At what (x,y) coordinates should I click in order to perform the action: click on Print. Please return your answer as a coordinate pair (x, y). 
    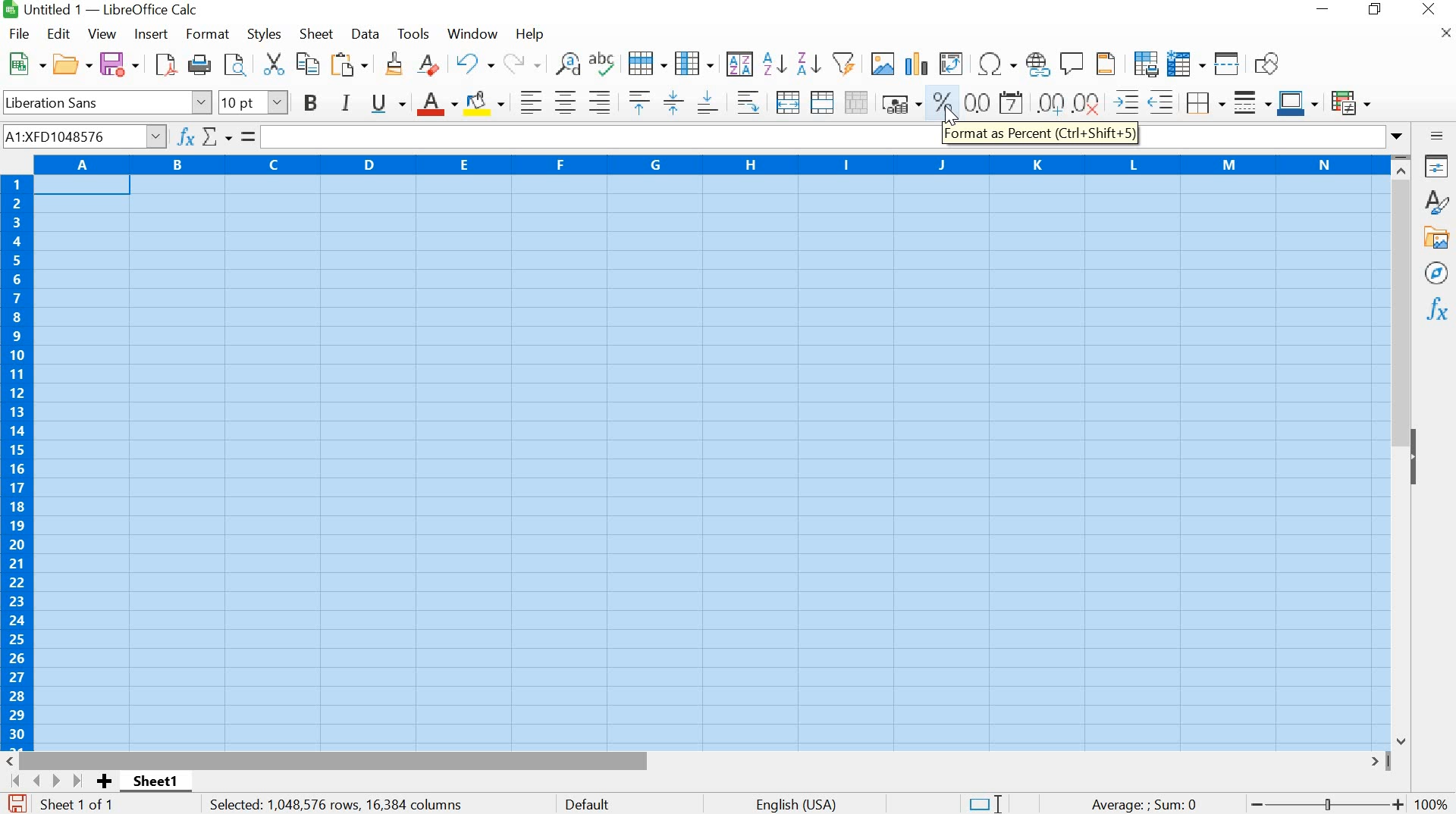
    Looking at the image, I should click on (199, 64).